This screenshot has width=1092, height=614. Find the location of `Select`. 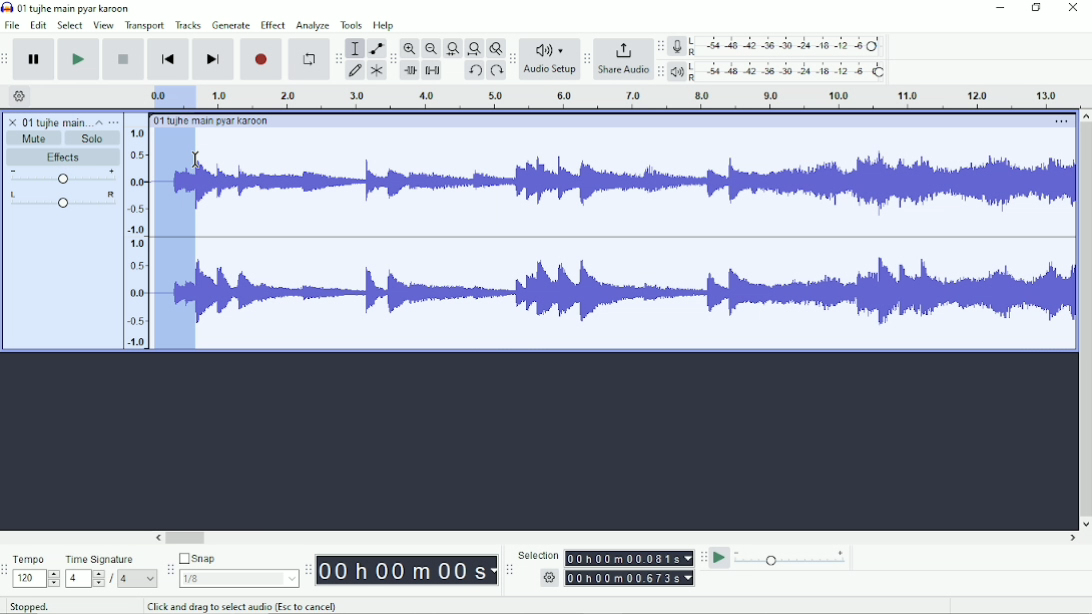

Select is located at coordinates (70, 25).